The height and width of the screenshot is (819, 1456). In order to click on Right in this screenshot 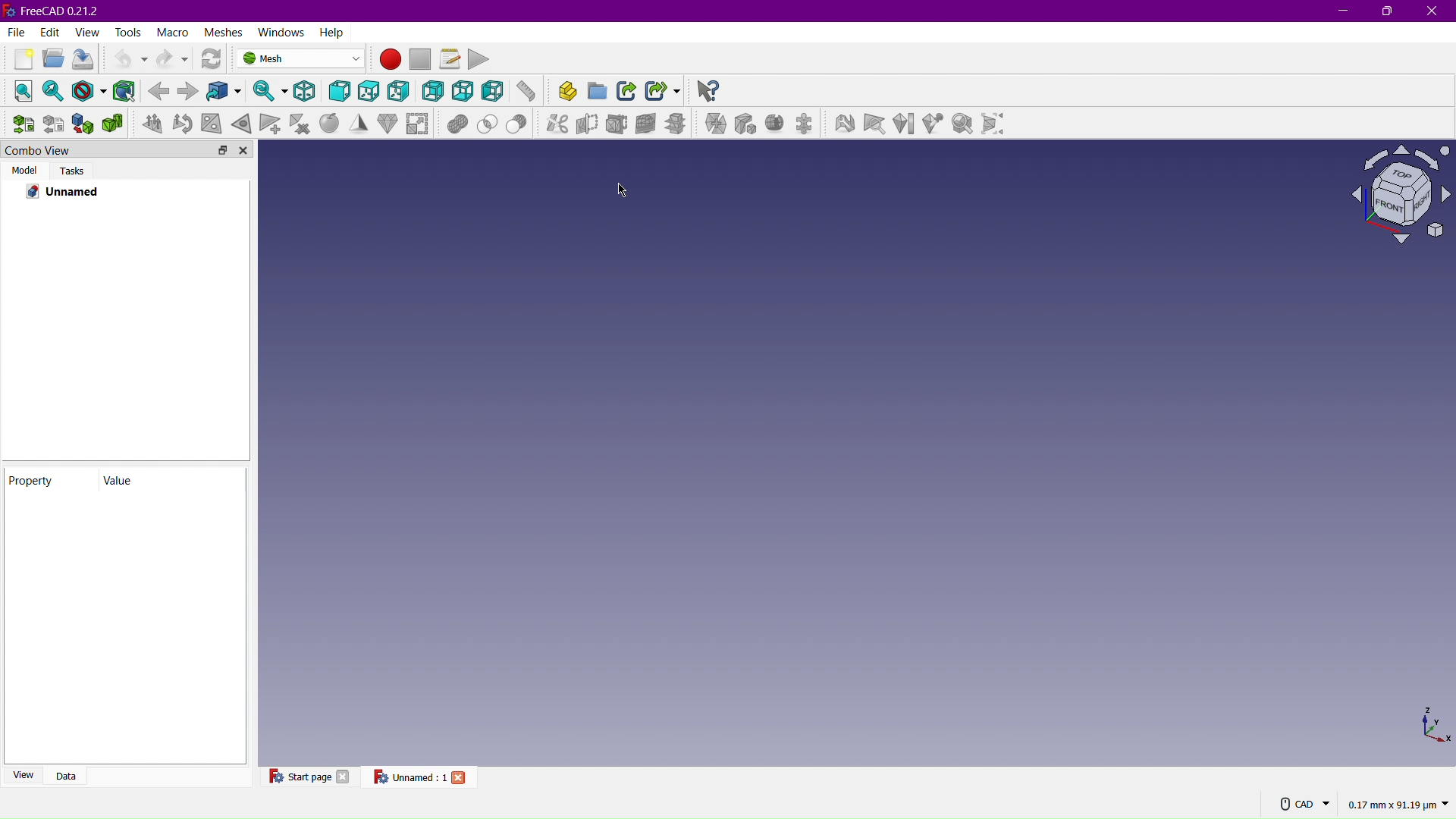, I will do `click(402, 93)`.